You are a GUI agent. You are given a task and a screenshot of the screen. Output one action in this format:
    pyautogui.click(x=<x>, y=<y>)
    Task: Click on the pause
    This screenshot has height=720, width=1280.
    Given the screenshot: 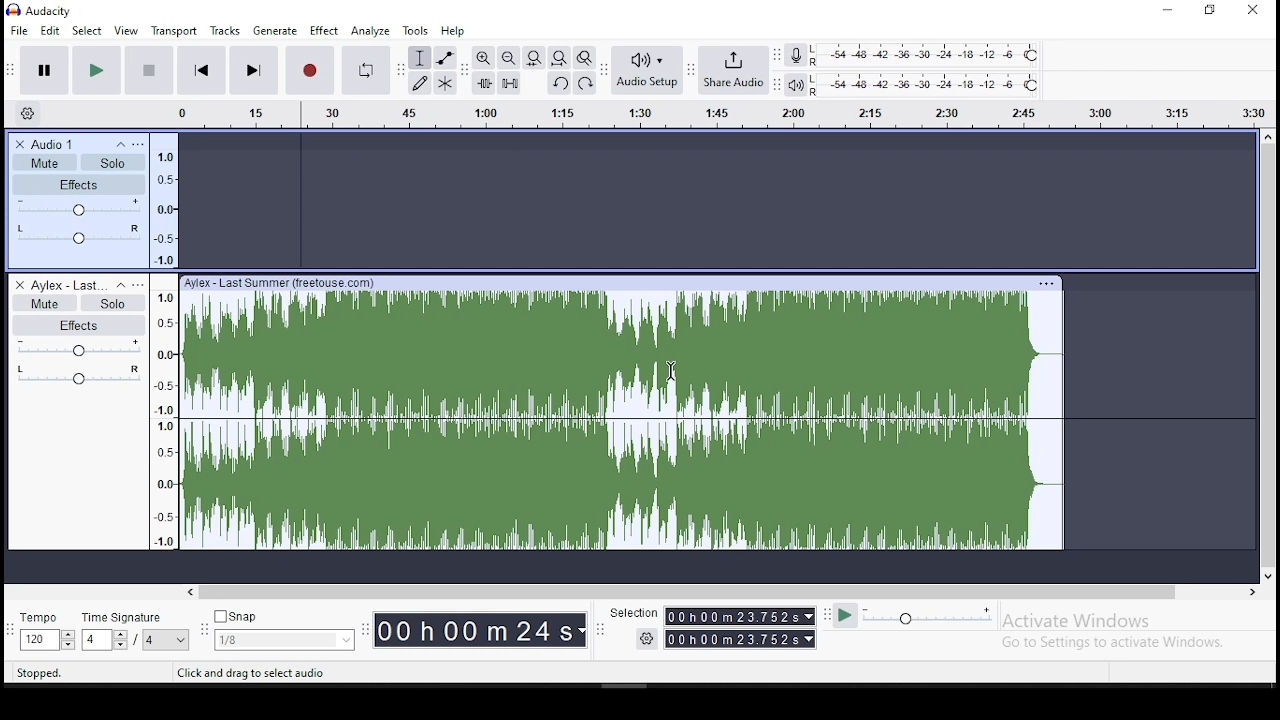 What is the action you would take?
    pyautogui.click(x=44, y=70)
    